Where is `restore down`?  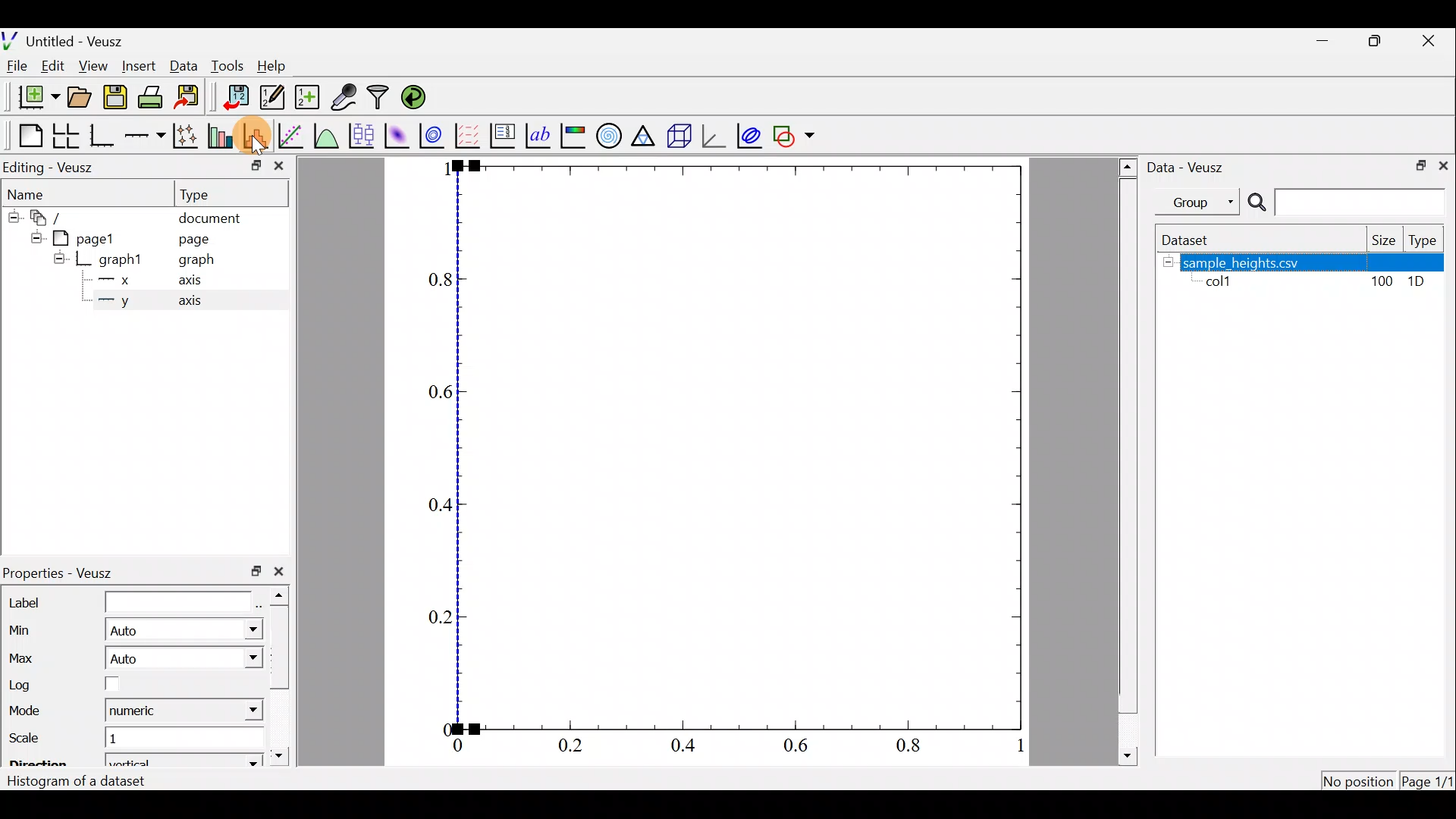
restore down is located at coordinates (256, 573).